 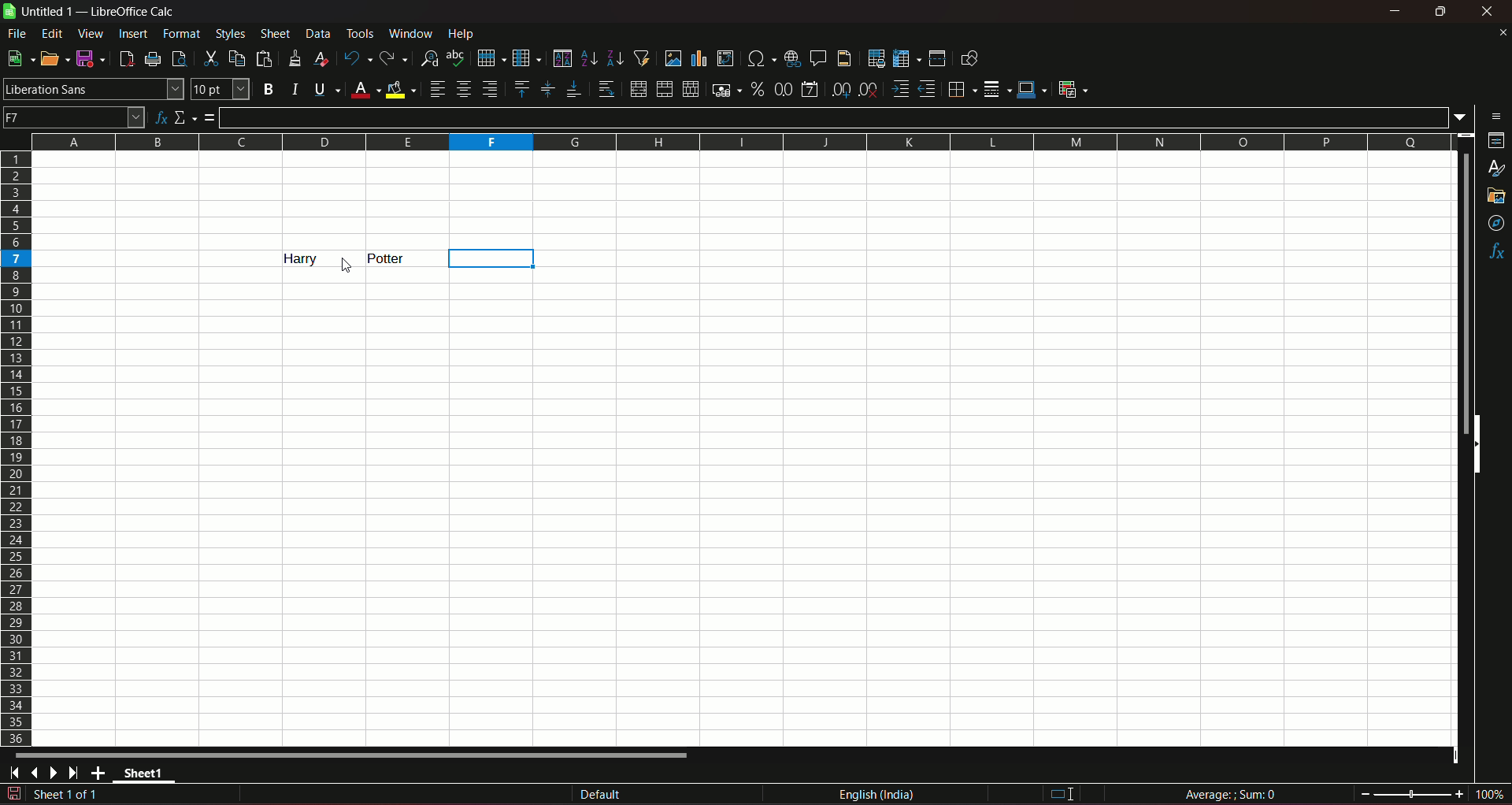 I want to click on new, so click(x=18, y=58).